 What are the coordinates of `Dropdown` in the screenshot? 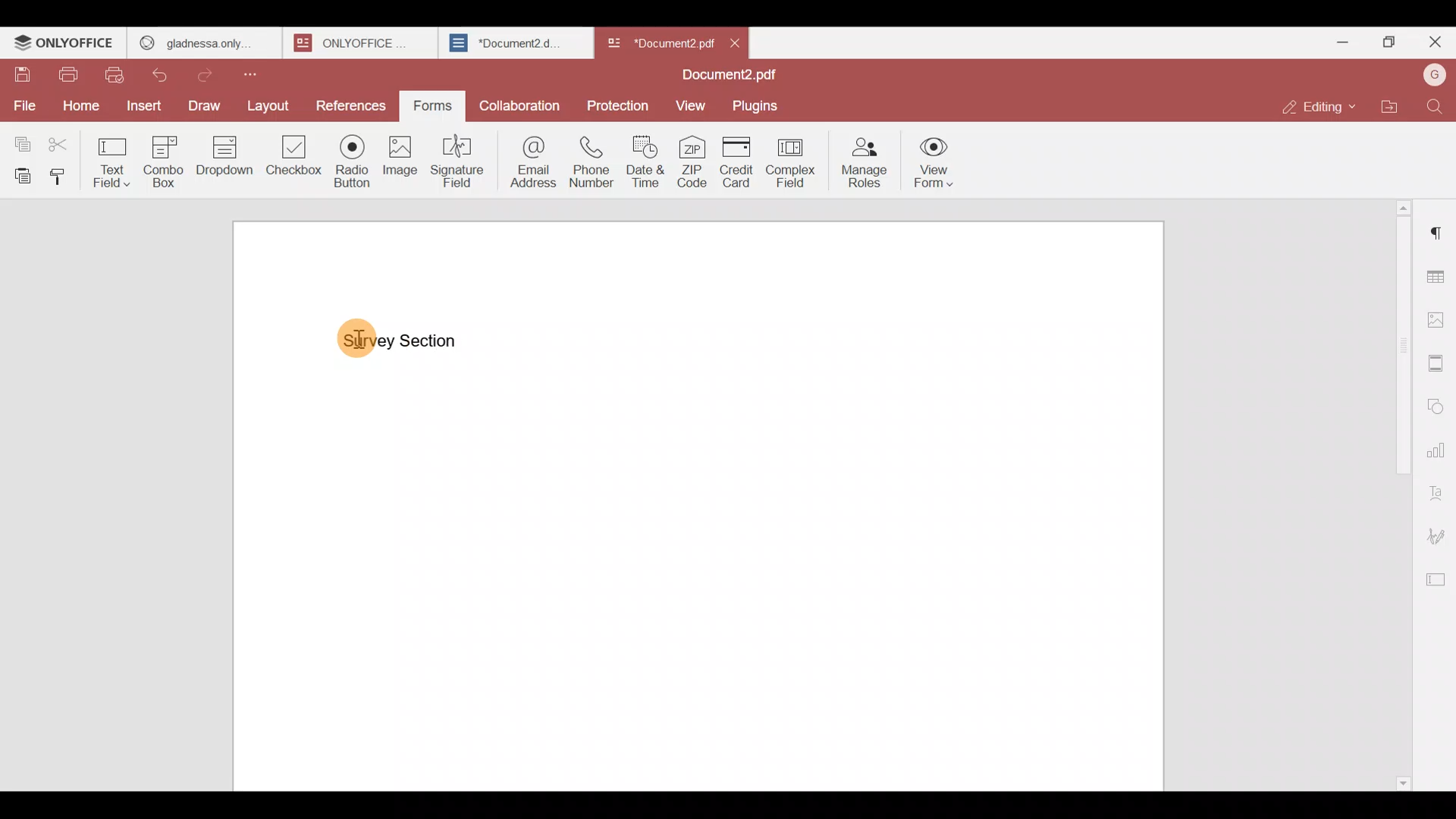 It's located at (221, 158).